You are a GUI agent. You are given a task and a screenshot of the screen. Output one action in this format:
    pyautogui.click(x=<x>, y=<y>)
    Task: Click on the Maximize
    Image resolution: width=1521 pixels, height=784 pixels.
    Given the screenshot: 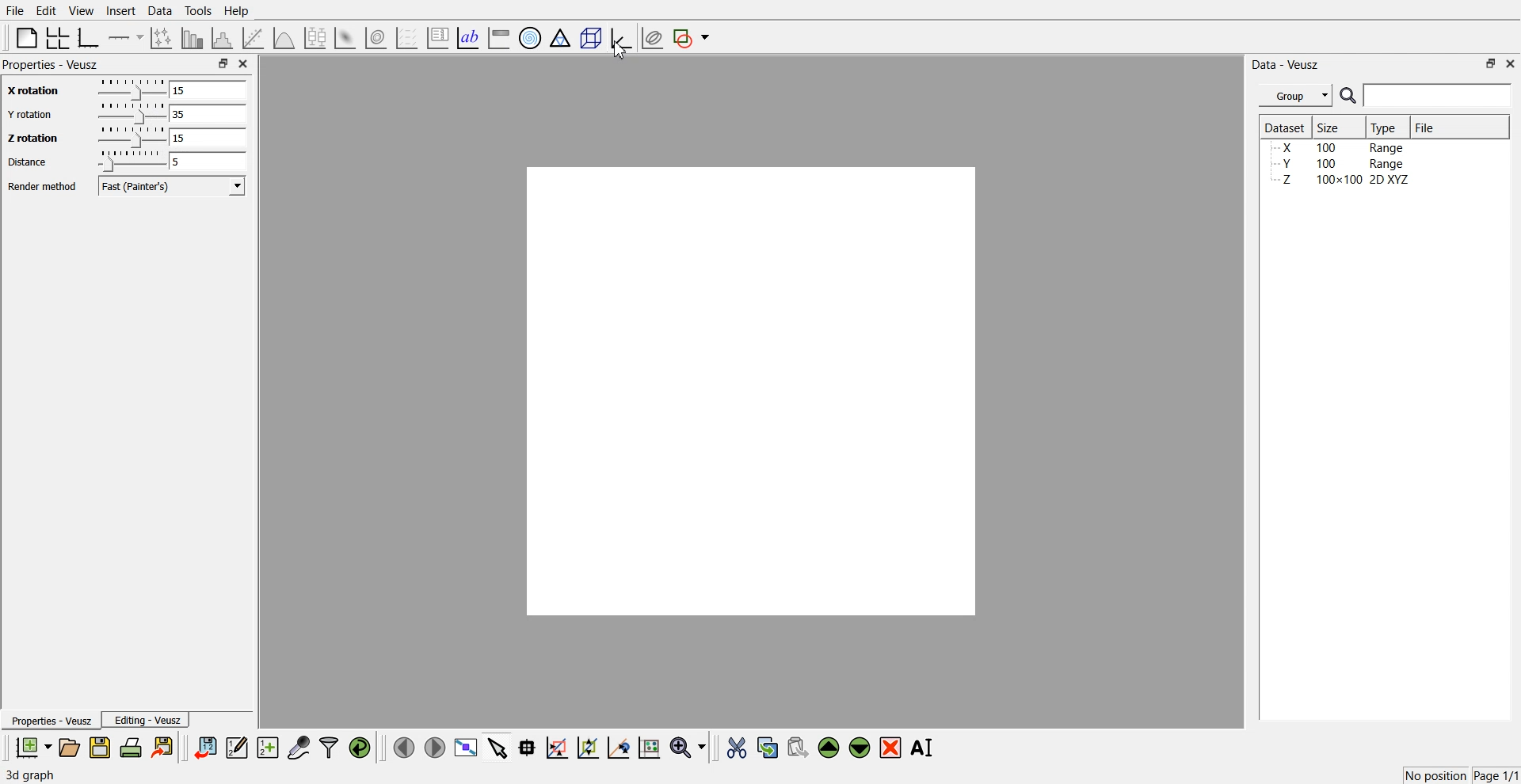 What is the action you would take?
    pyautogui.click(x=223, y=63)
    